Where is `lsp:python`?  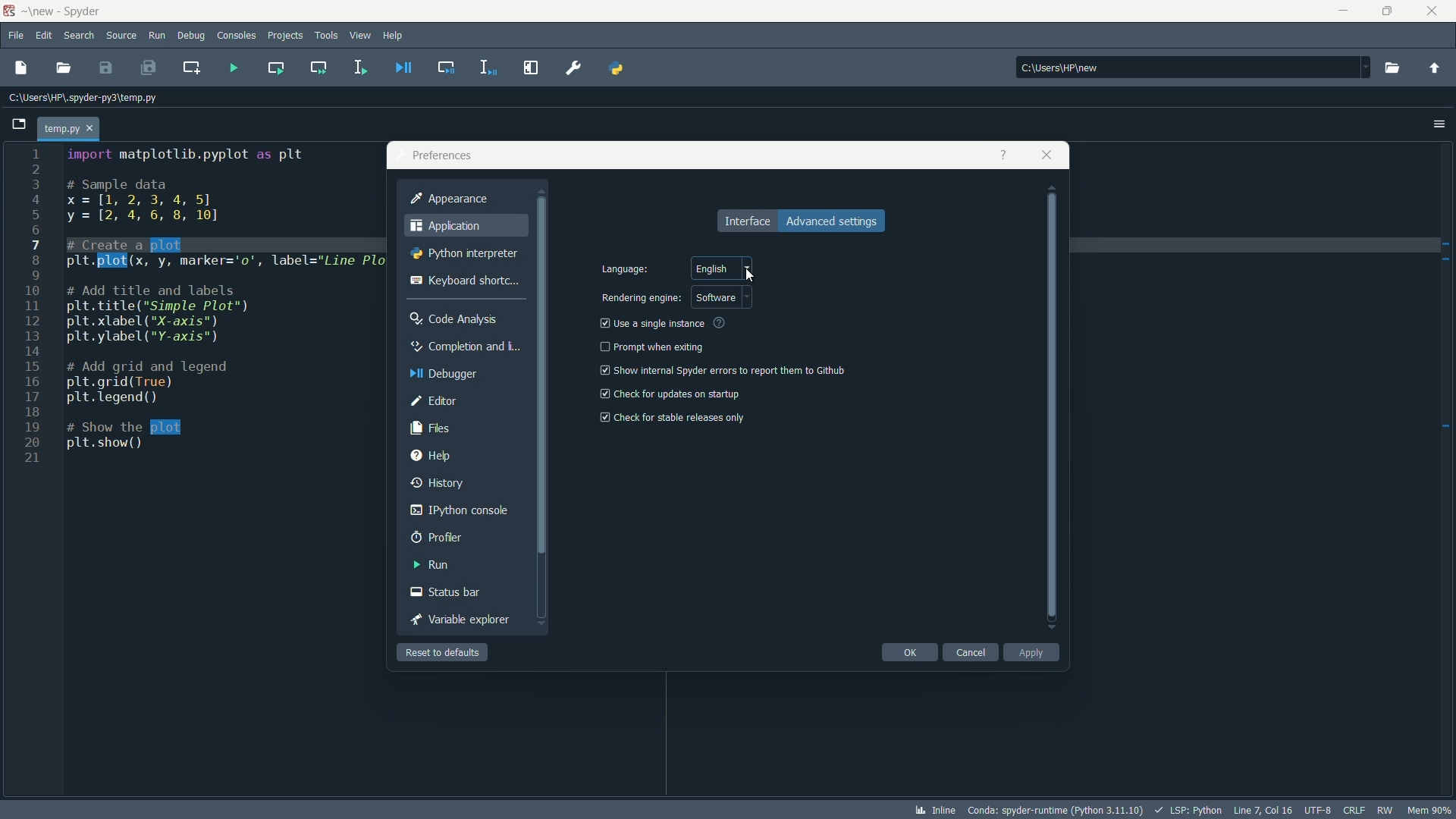 lsp:python is located at coordinates (1186, 810).